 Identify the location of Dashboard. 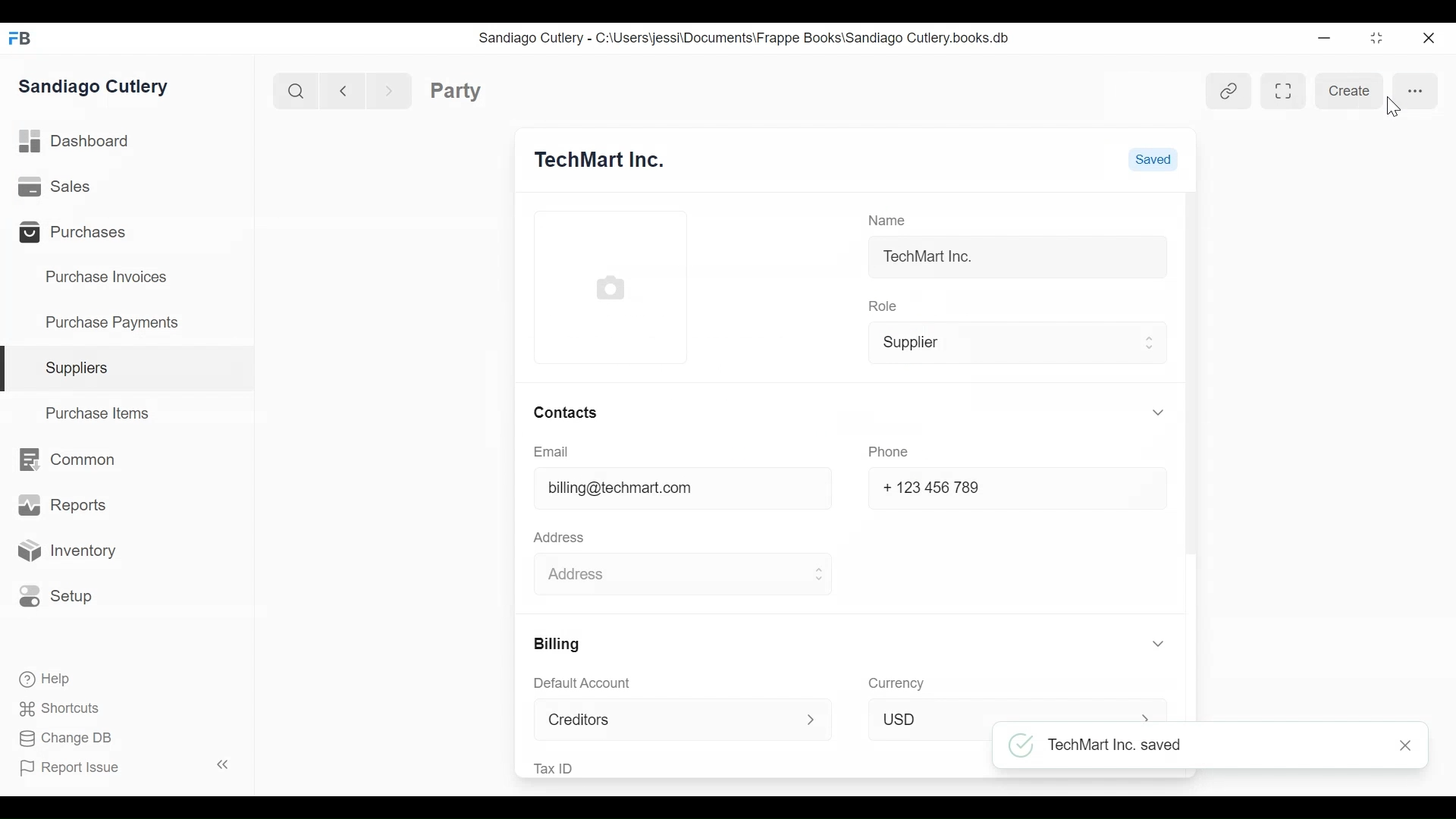
(83, 140).